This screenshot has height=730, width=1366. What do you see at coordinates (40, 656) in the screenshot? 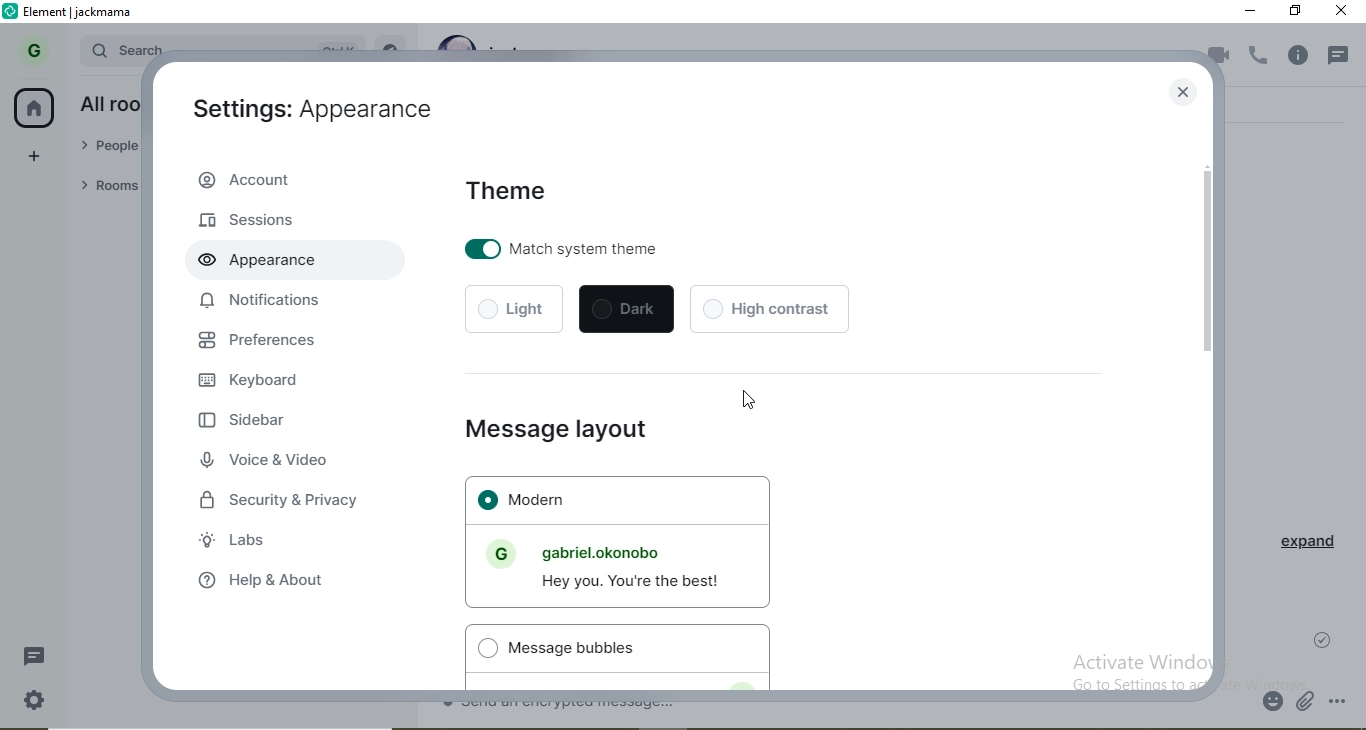
I see `message` at bounding box center [40, 656].